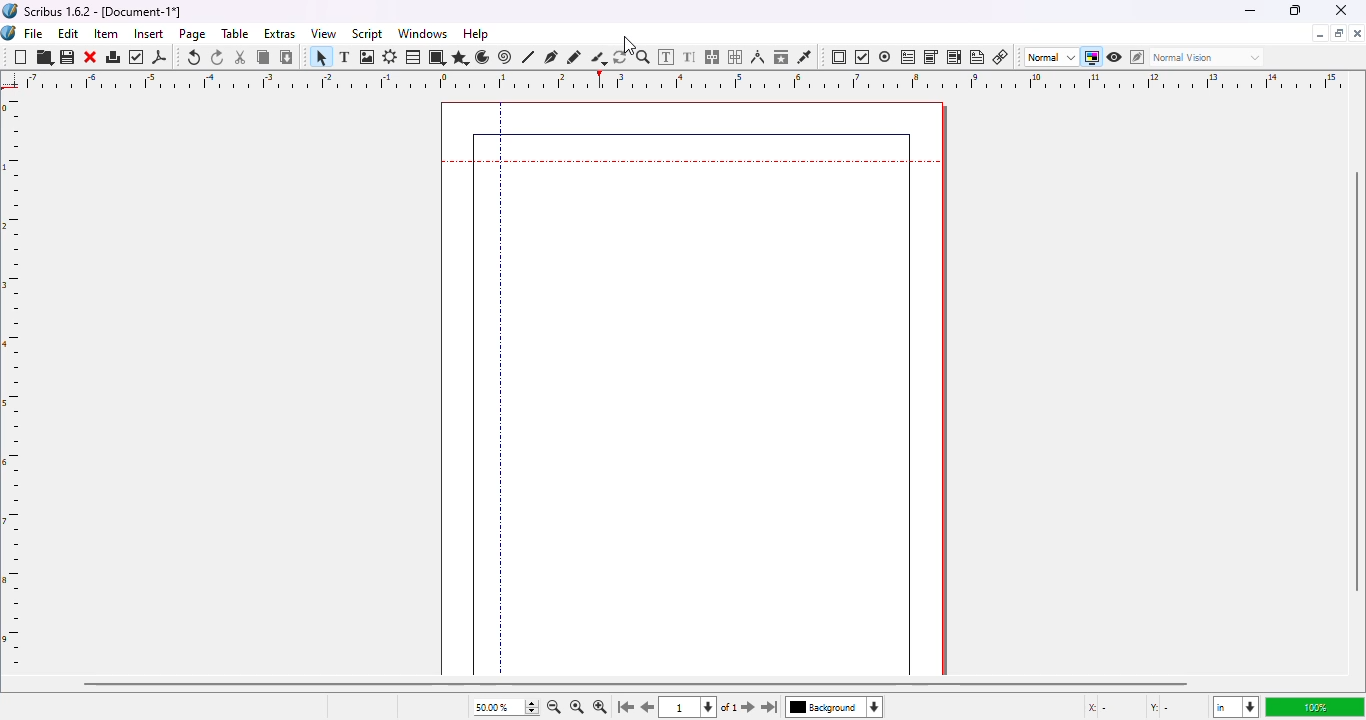 The height and width of the screenshot is (720, 1366). What do you see at coordinates (553, 707) in the screenshot?
I see `zoom out ` at bounding box center [553, 707].